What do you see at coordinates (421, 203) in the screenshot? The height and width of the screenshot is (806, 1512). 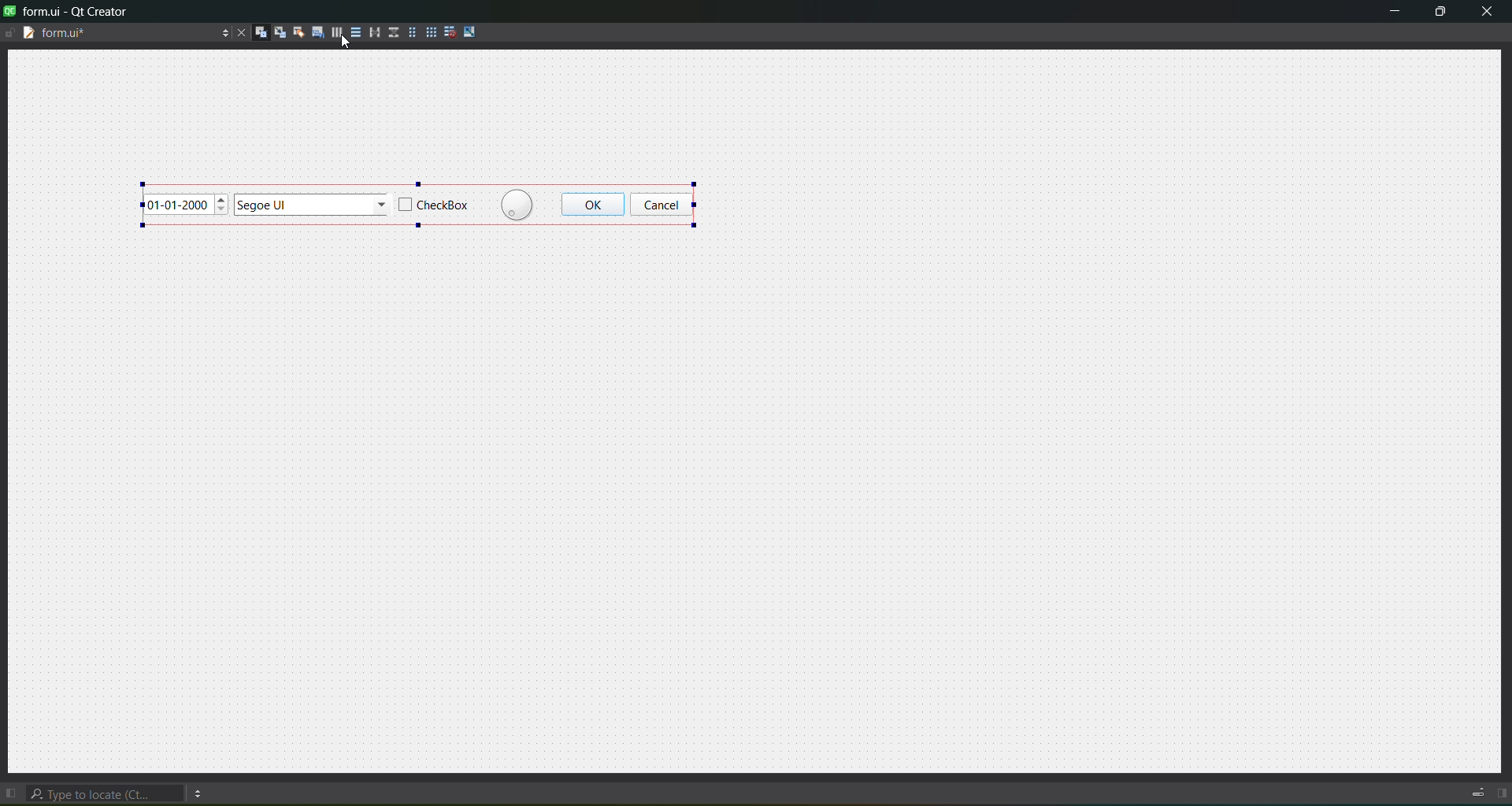 I see `widgets aligned horizontally in QTBox` at bounding box center [421, 203].